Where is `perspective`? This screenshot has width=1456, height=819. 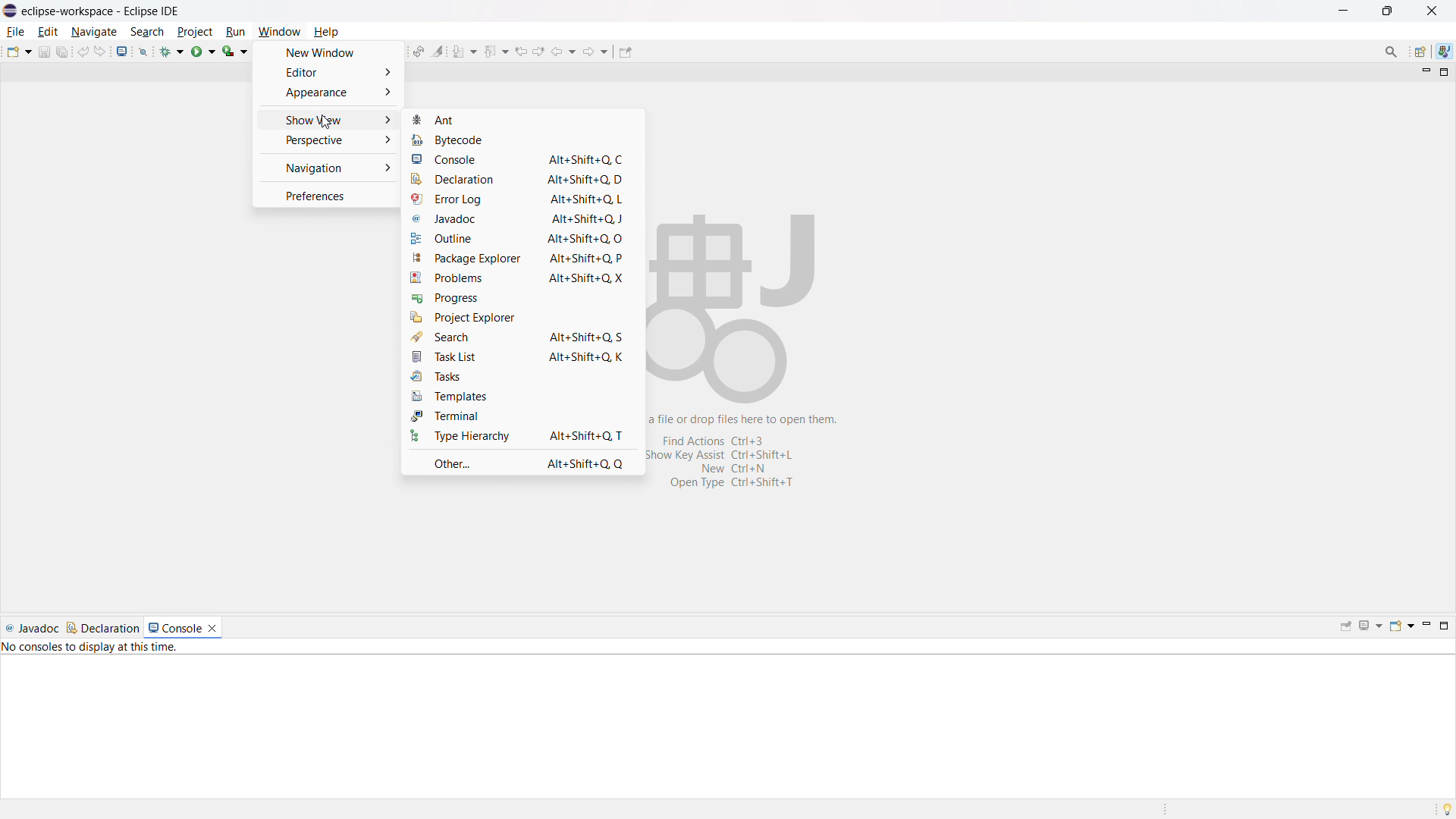 perspective is located at coordinates (327, 140).